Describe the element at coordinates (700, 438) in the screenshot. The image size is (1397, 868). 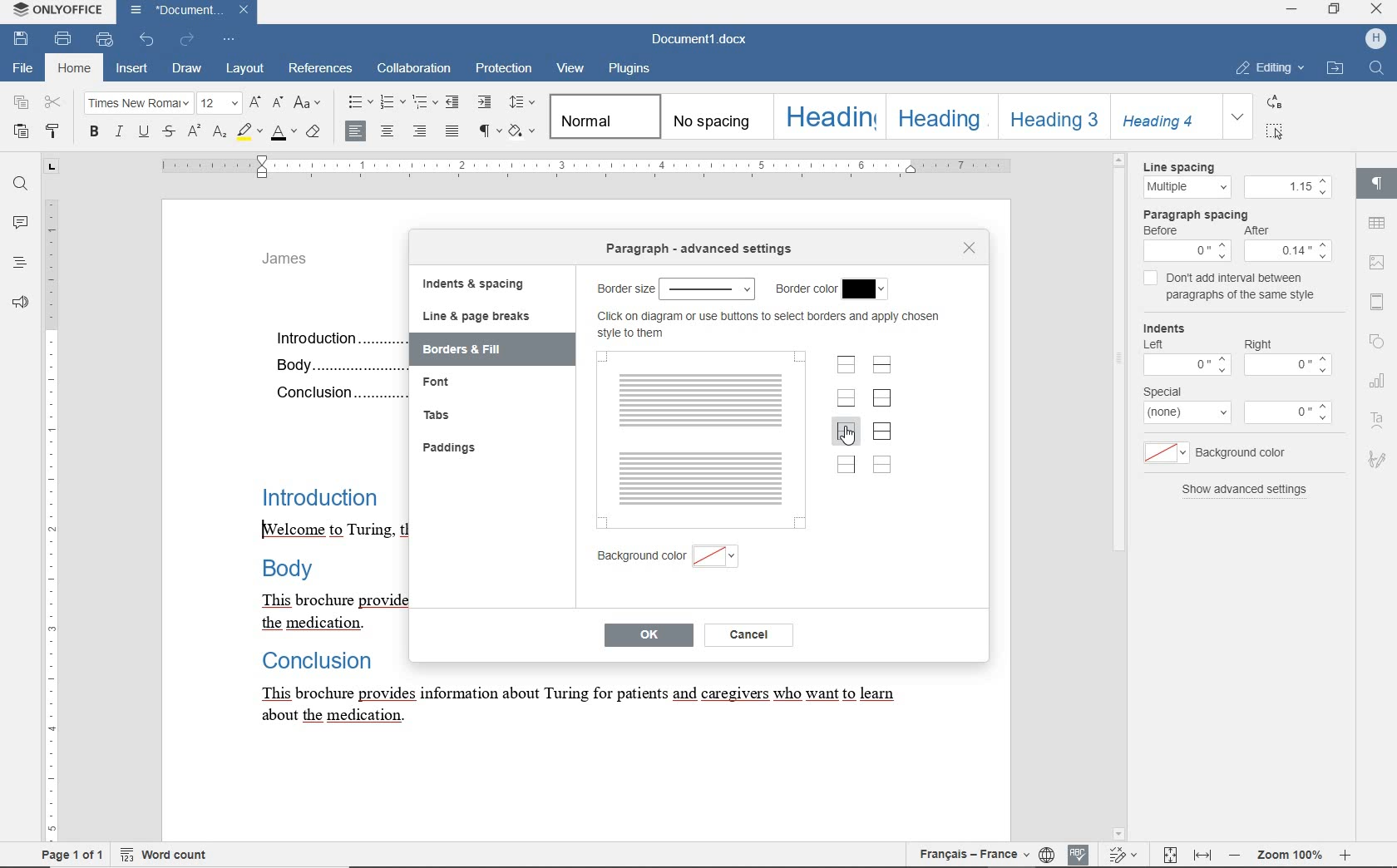
I see `preview` at that location.